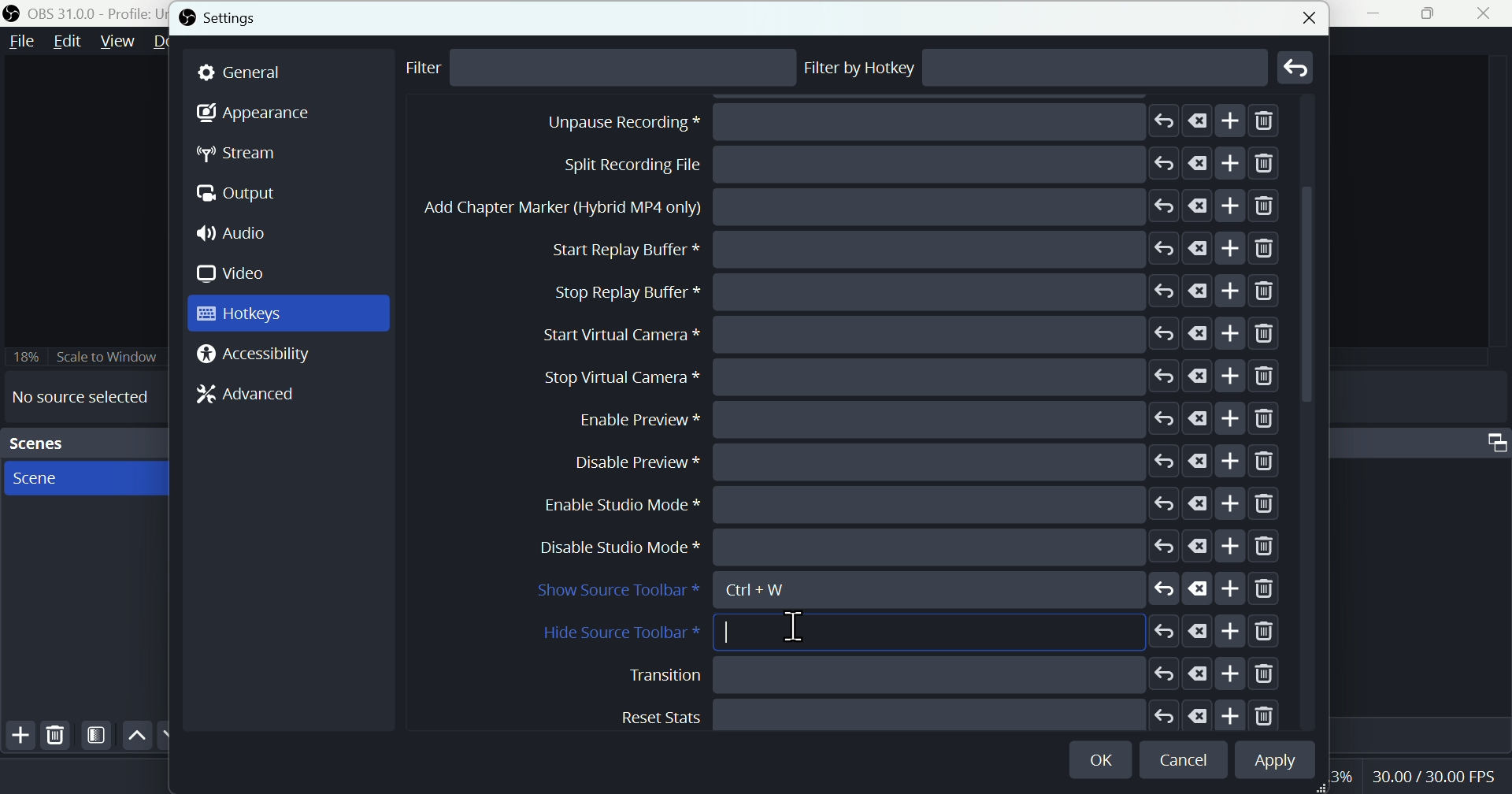 Image resolution: width=1512 pixels, height=794 pixels. I want to click on Edit, so click(67, 44).